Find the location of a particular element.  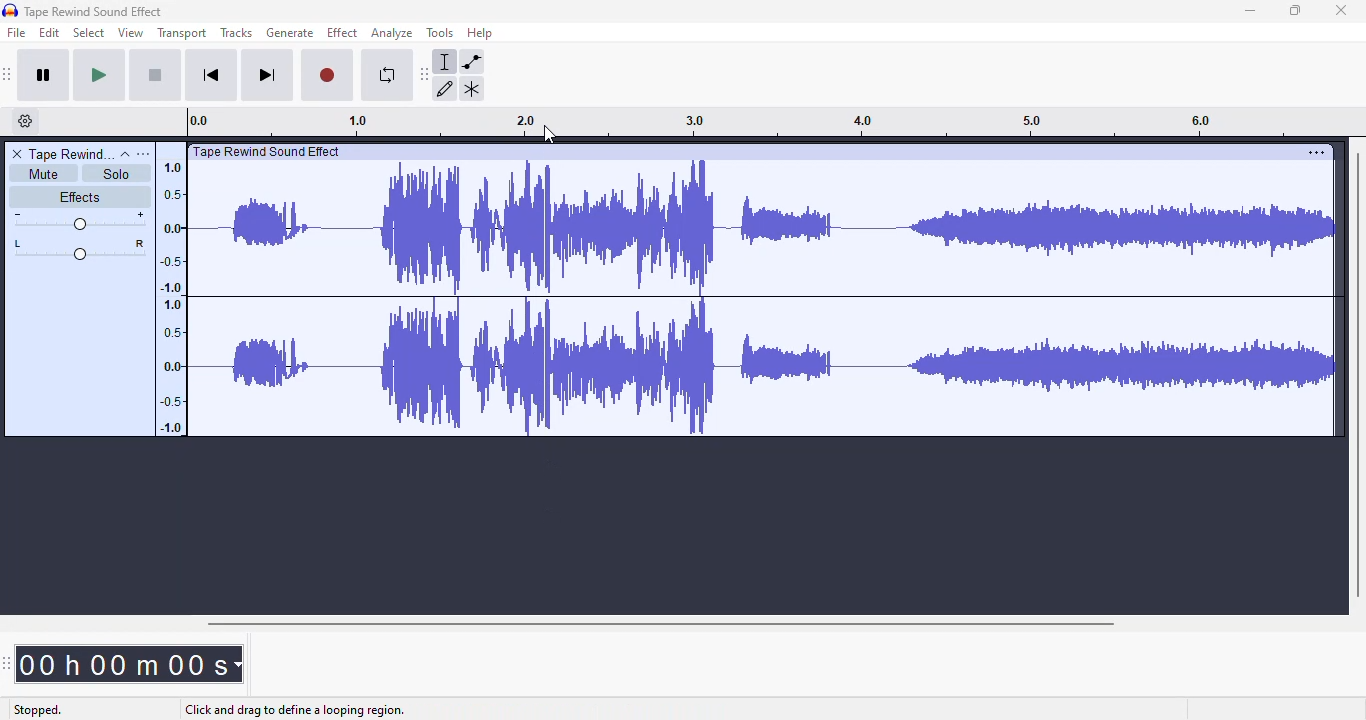

timeline options is located at coordinates (27, 121).